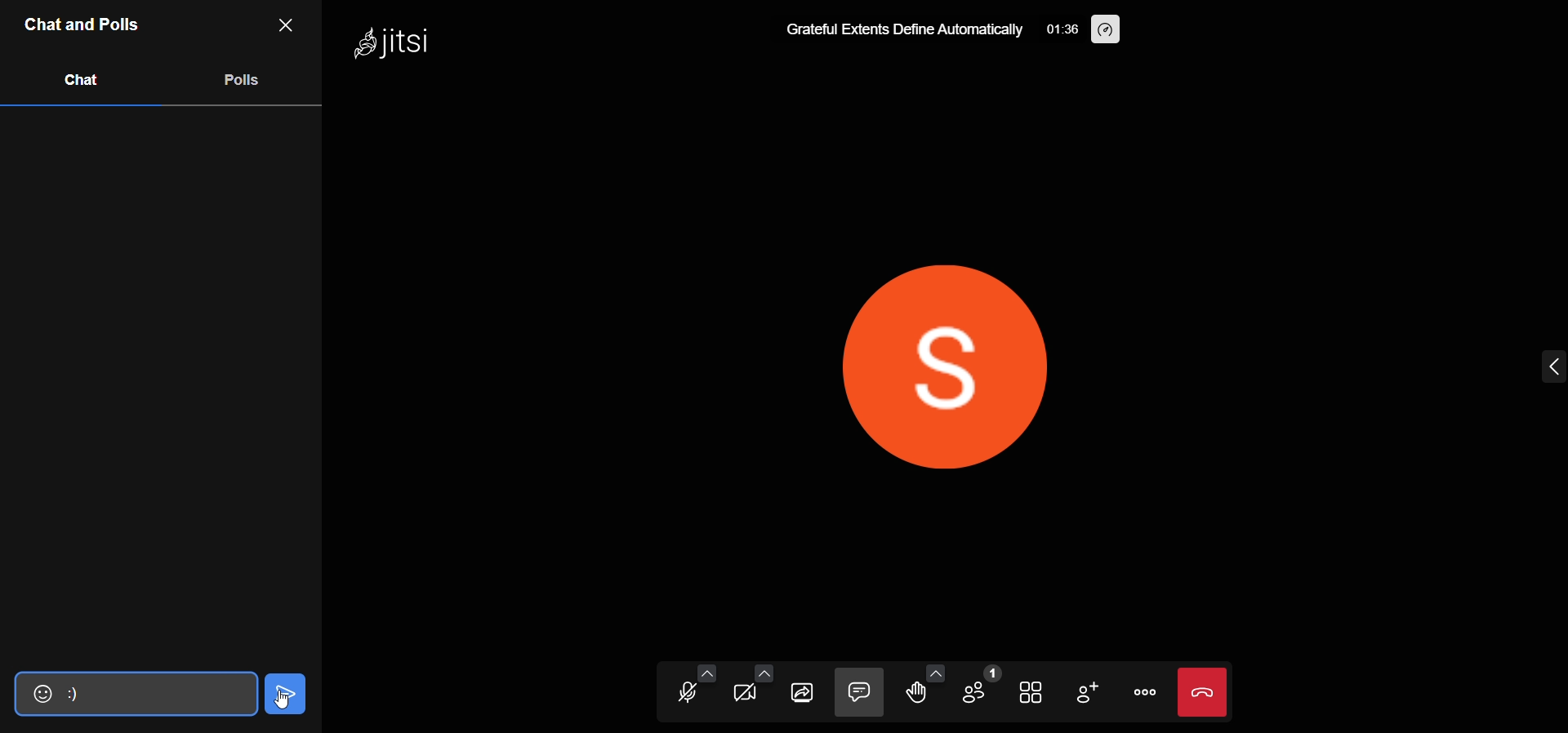 The width and height of the screenshot is (1568, 733). I want to click on participants, so click(981, 689).